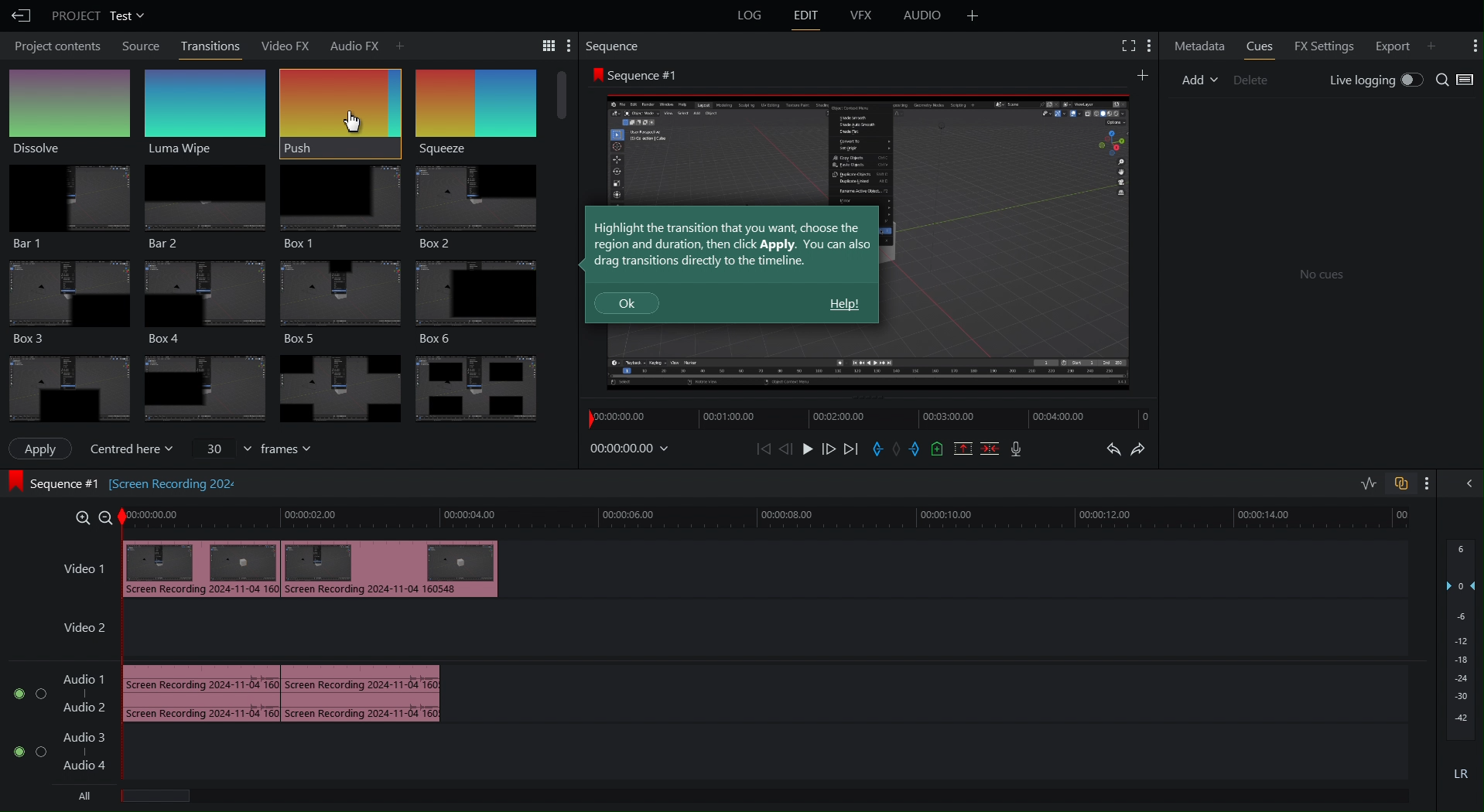  Describe the element at coordinates (1198, 46) in the screenshot. I see `Metadata` at that location.